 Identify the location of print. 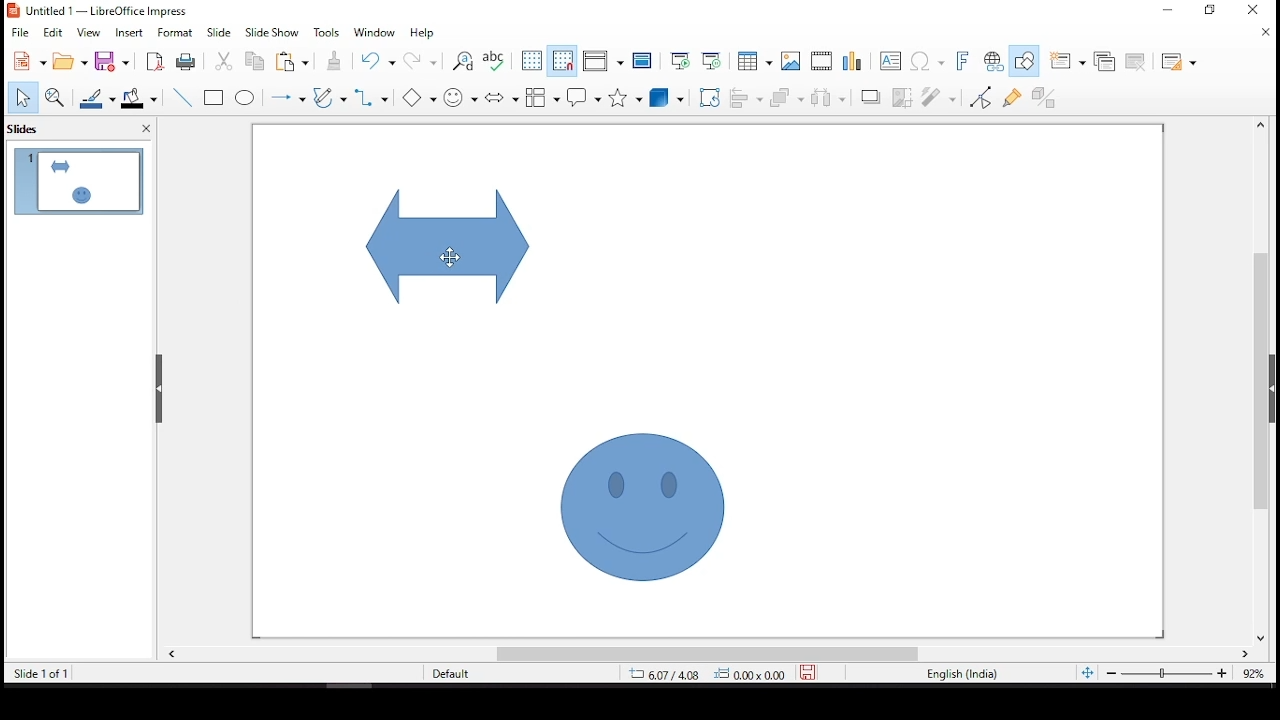
(184, 63).